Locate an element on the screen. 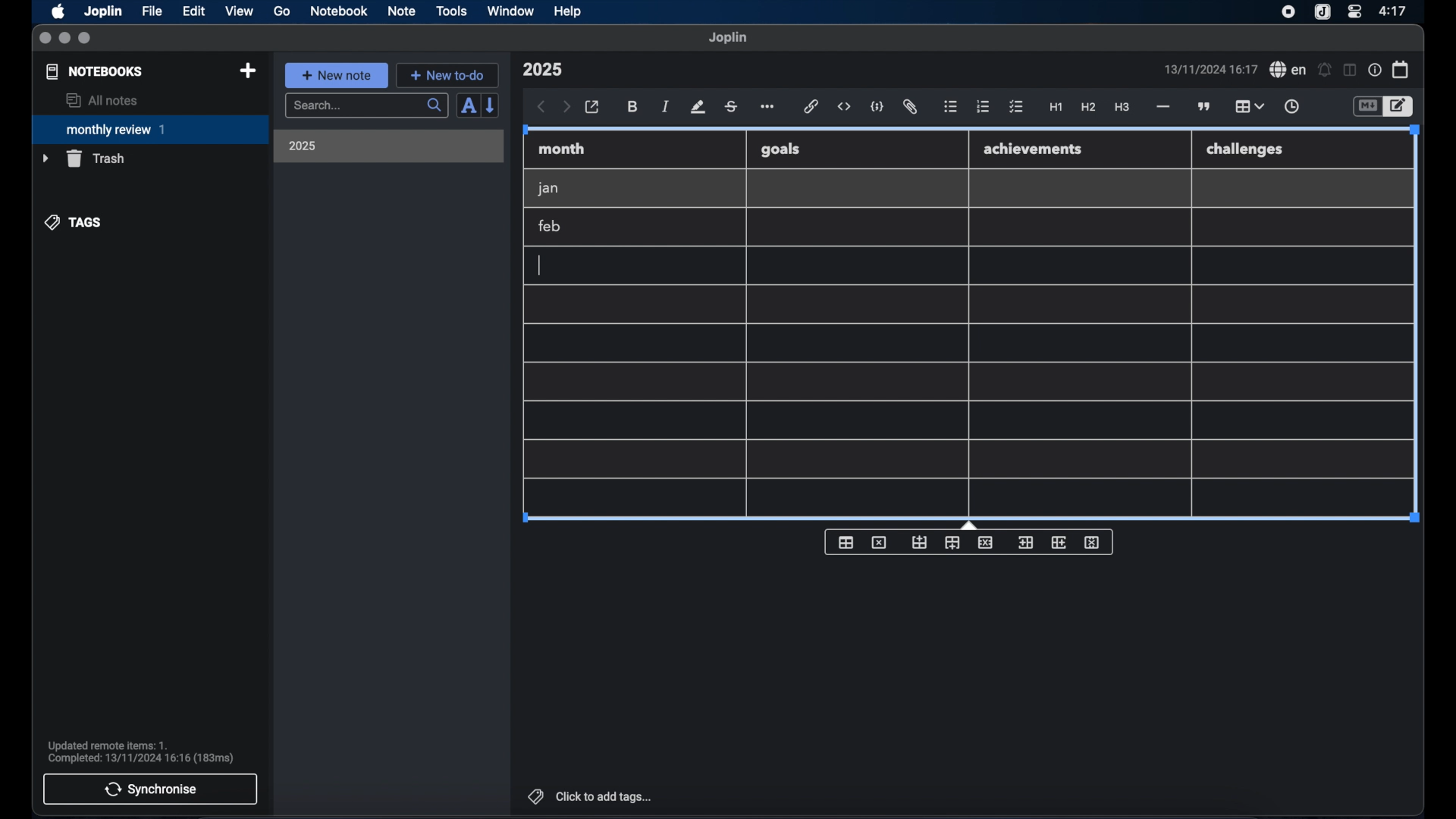 Image resolution: width=1456 pixels, height=819 pixels. insert table is located at coordinates (846, 542).